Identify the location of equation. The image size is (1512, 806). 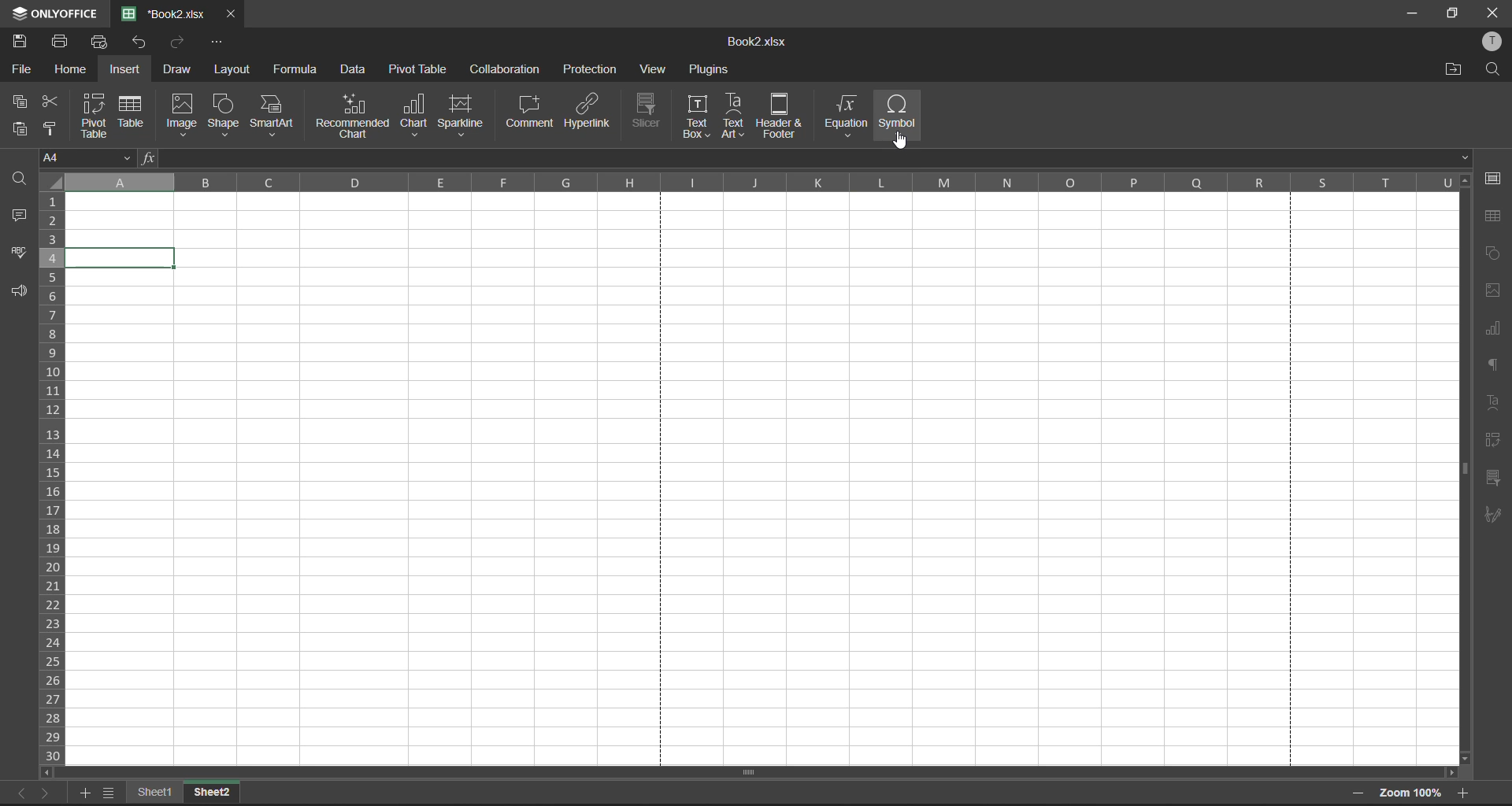
(848, 115).